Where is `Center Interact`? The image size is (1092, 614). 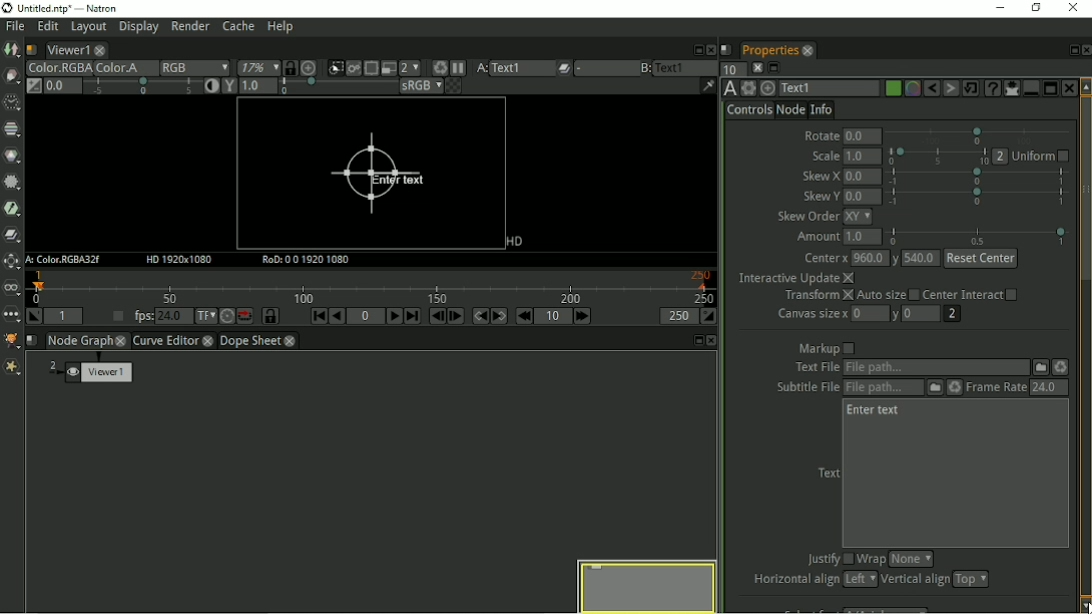 Center Interact is located at coordinates (971, 294).